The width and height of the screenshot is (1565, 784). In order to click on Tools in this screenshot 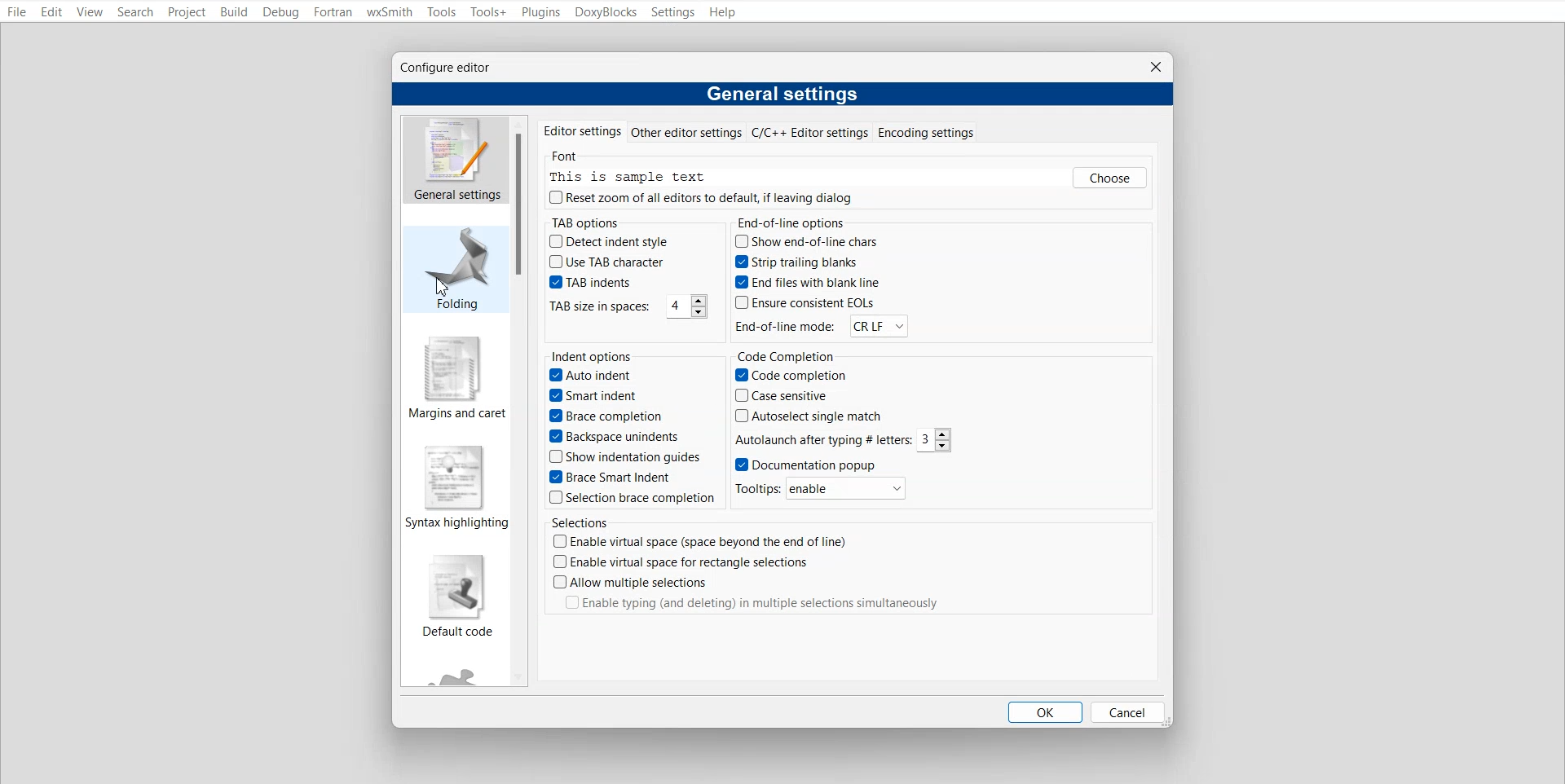, I will do `click(442, 12)`.